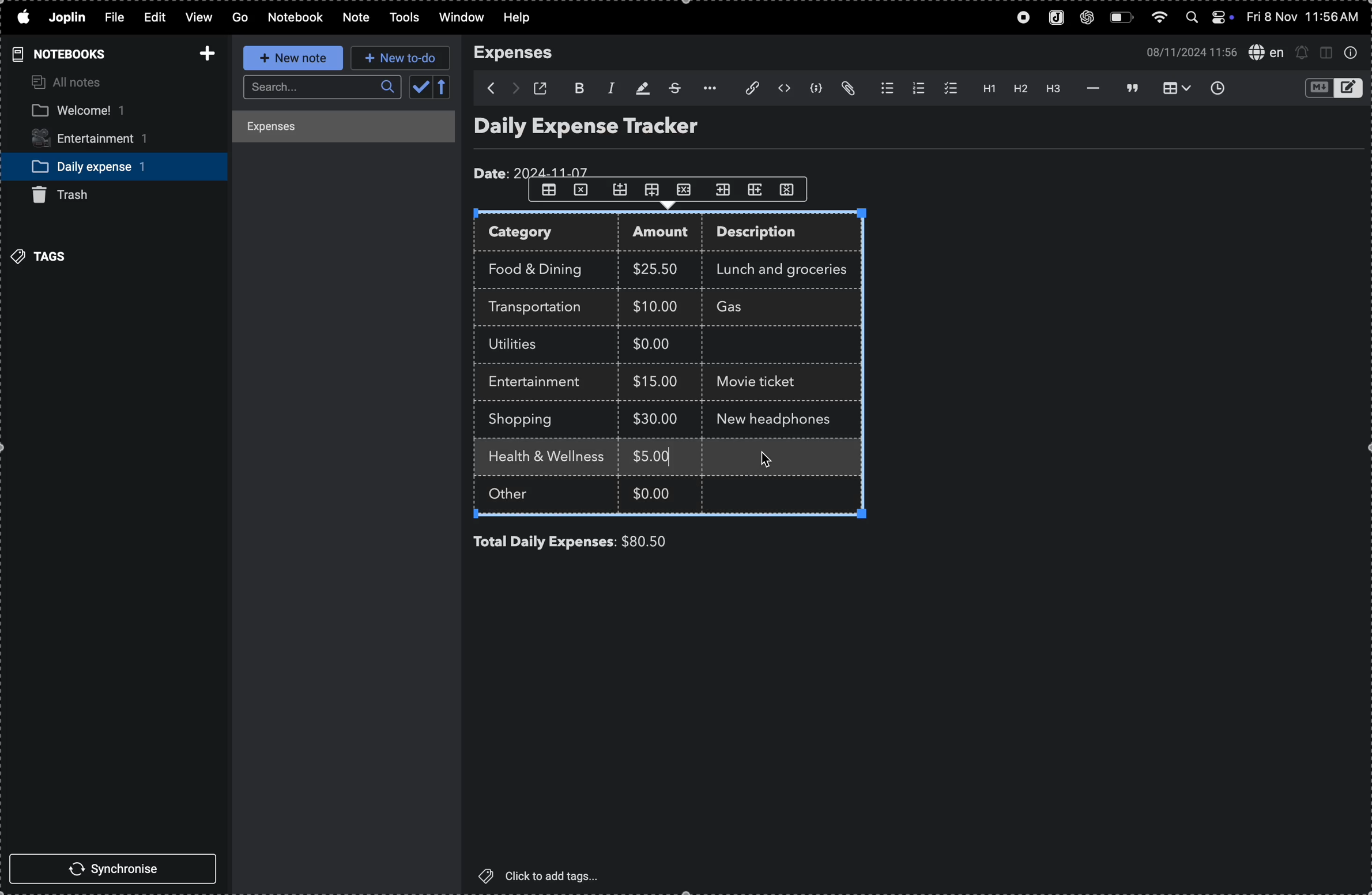  What do you see at coordinates (534, 170) in the screenshot?
I see `date` at bounding box center [534, 170].